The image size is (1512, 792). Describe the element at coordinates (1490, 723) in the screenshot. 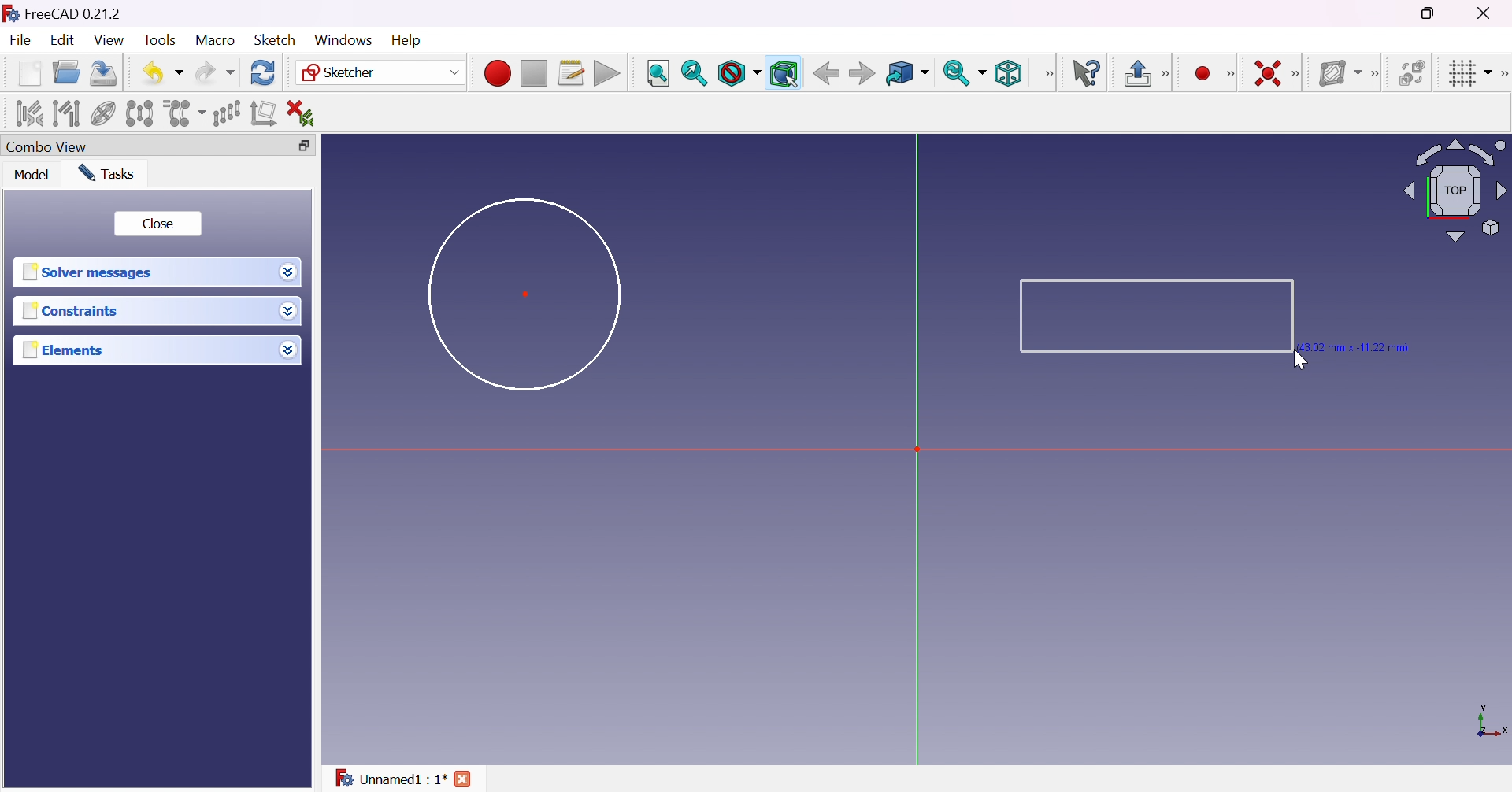

I see `x, y axis` at that location.